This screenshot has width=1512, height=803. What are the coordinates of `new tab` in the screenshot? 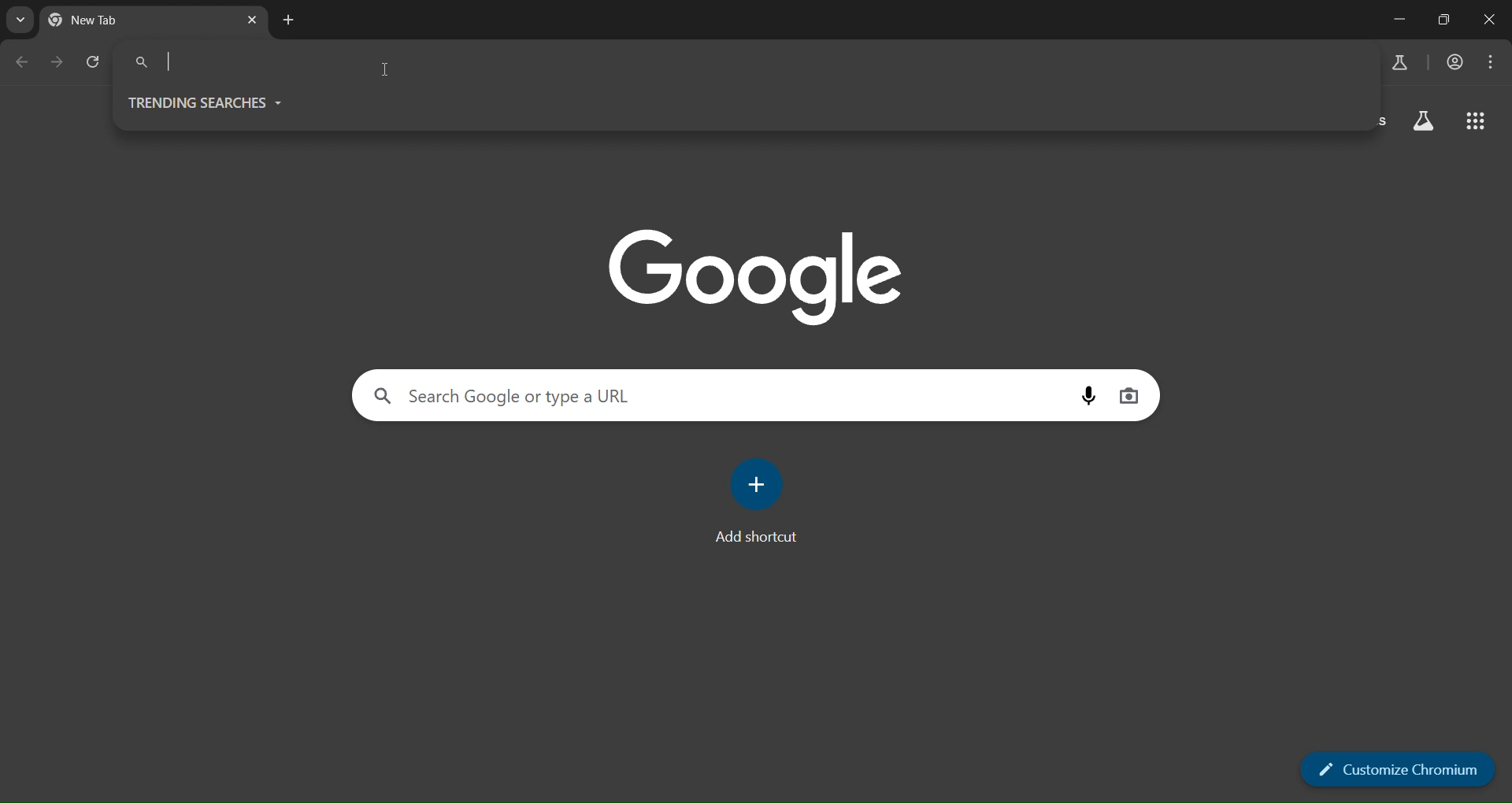 It's located at (138, 20).